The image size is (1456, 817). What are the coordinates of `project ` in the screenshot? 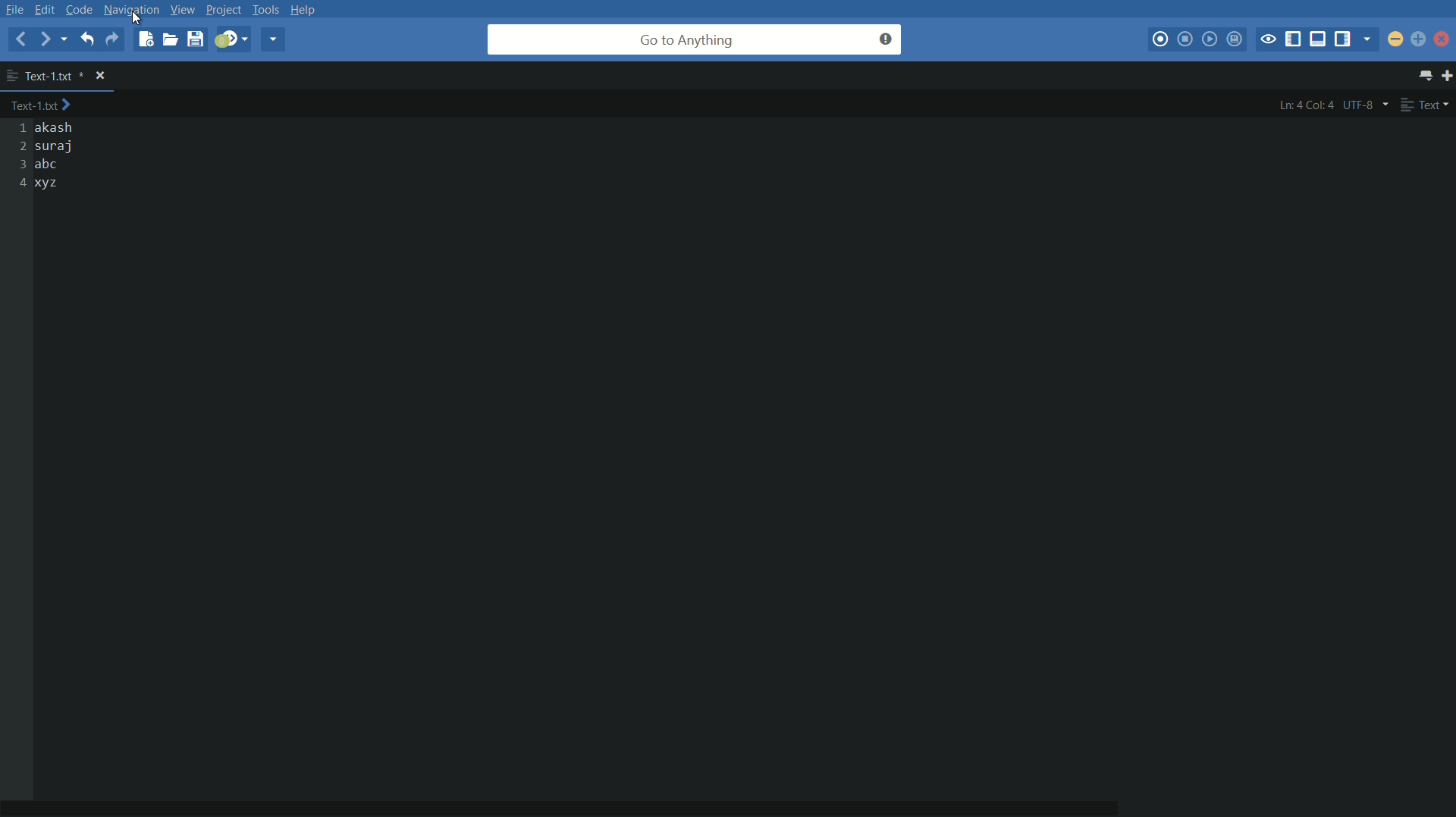 It's located at (222, 11).